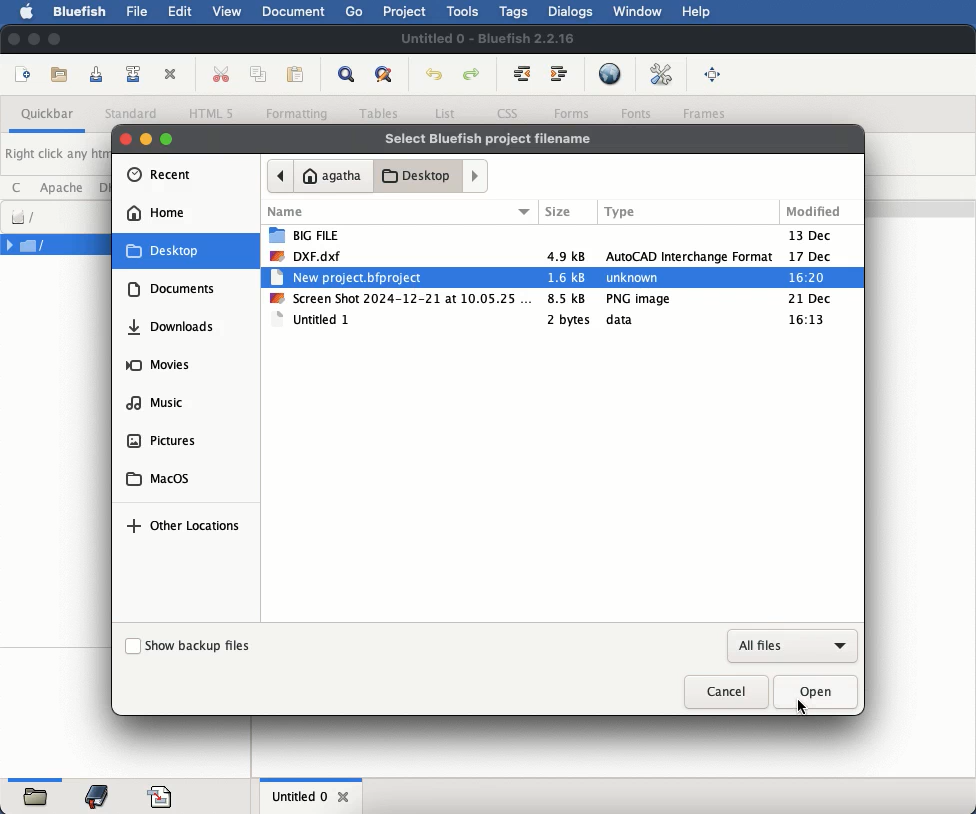 The height and width of the screenshot is (814, 976). What do you see at coordinates (158, 478) in the screenshot?
I see `macos` at bounding box center [158, 478].